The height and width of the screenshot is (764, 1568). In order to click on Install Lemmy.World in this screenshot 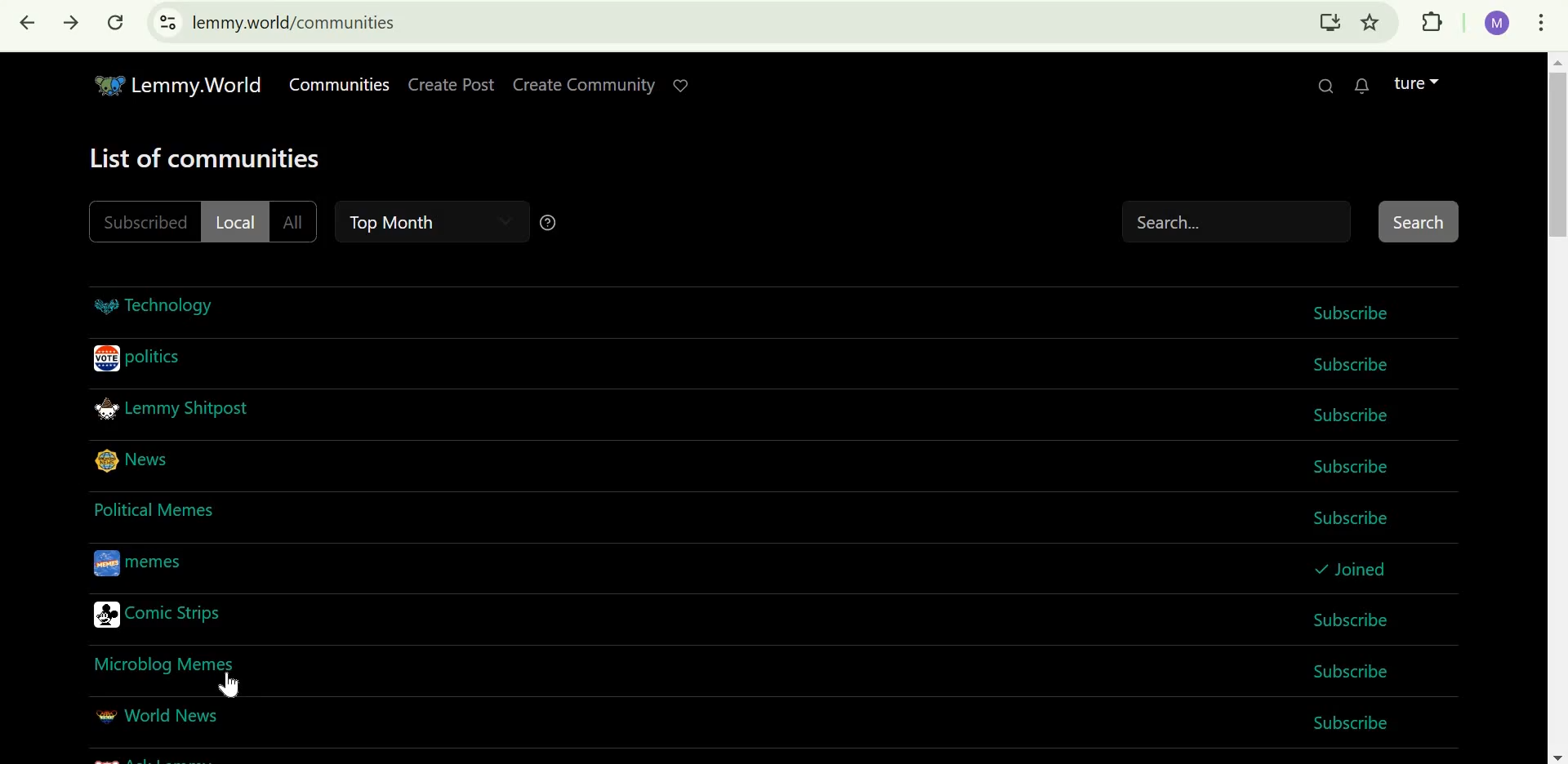, I will do `click(1330, 23)`.